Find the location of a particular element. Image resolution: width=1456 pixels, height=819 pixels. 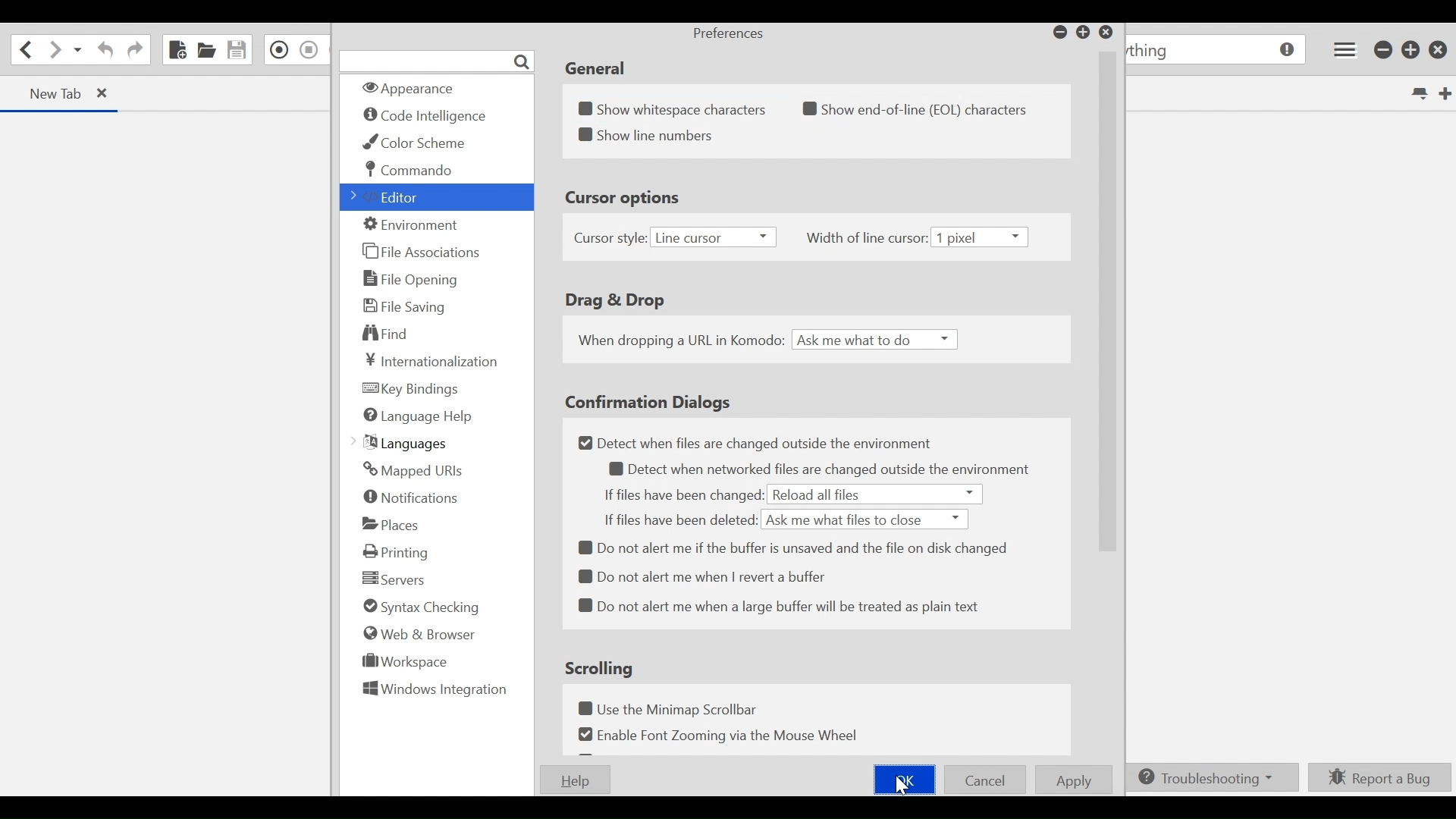

Show line numbers is located at coordinates (648, 135).